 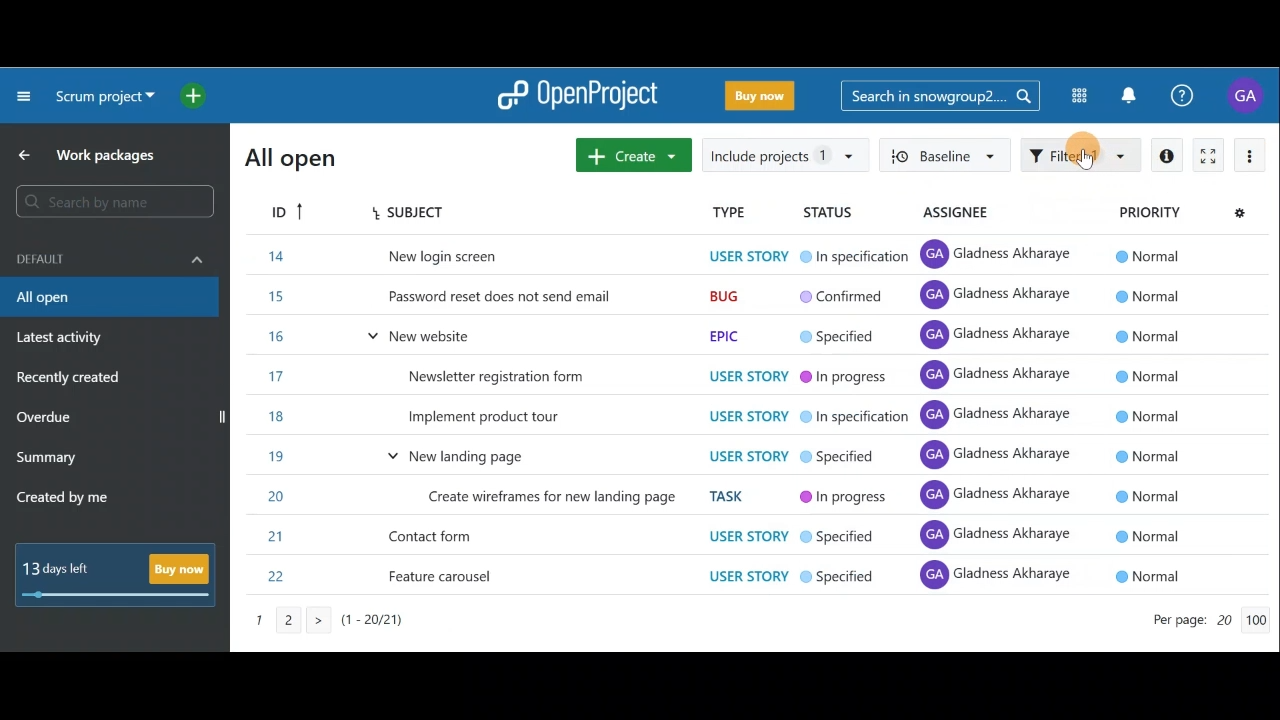 I want to click on Default, so click(x=110, y=257).